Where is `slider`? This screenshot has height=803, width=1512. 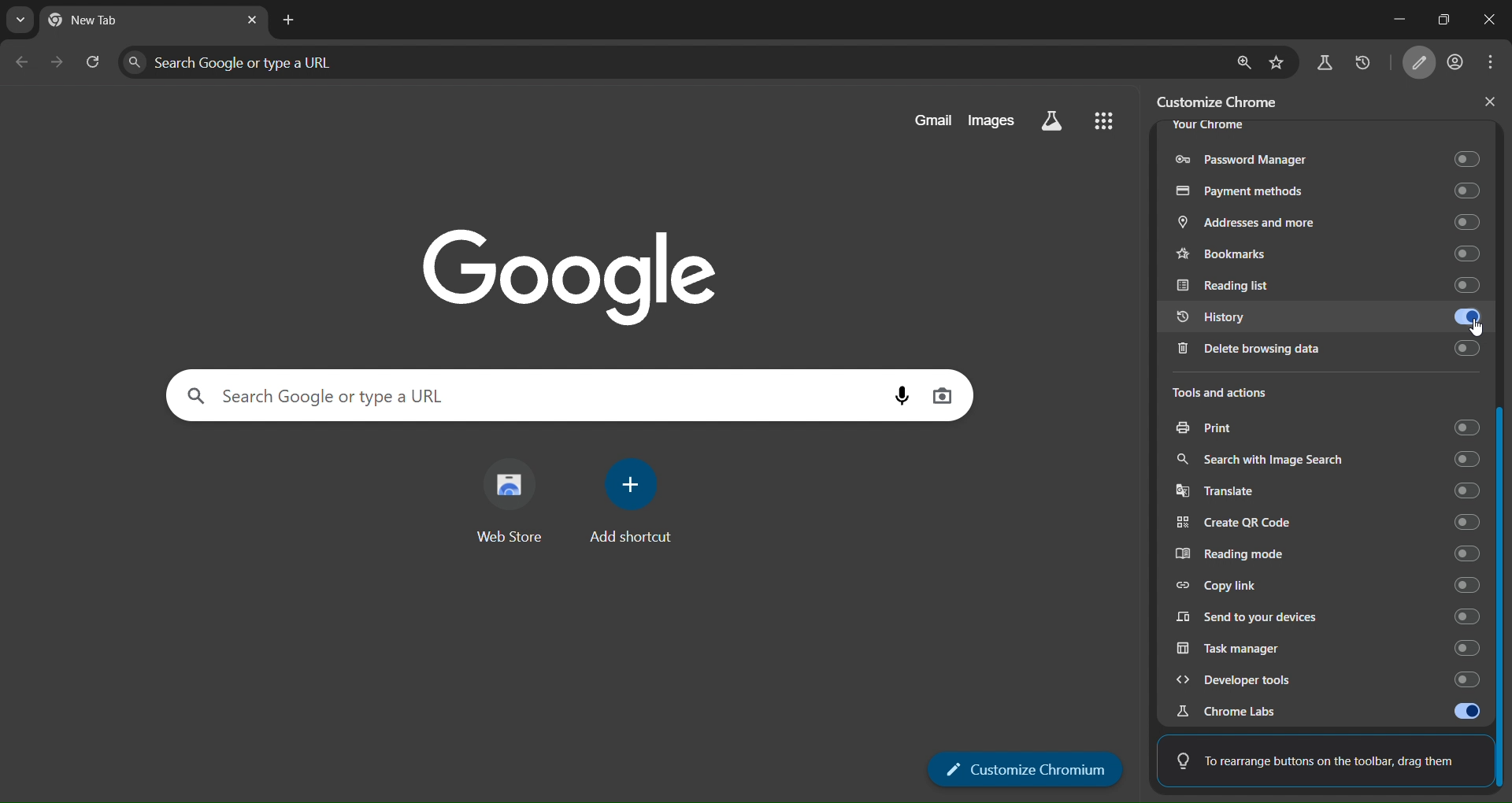
slider is located at coordinates (1503, 459).